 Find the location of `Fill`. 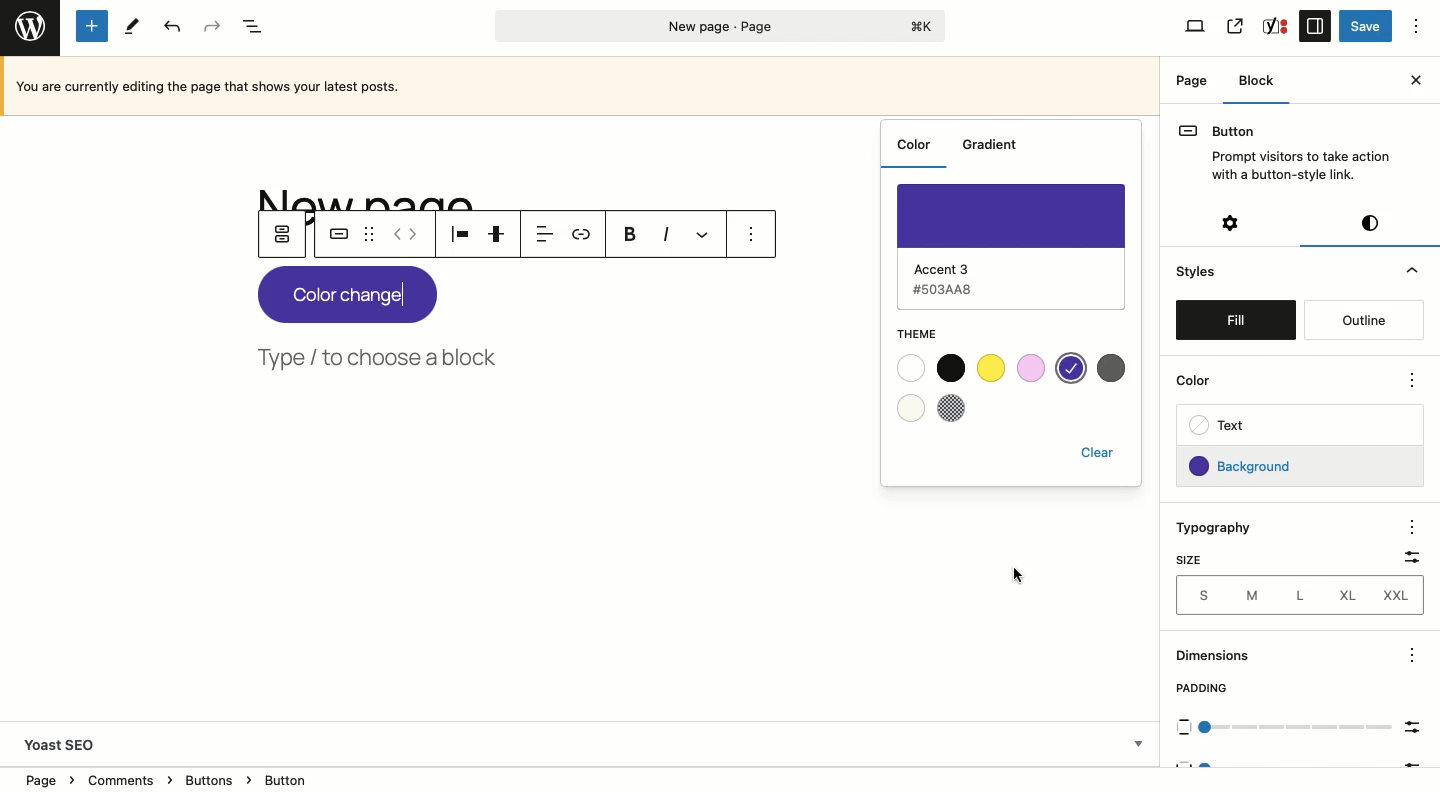

Fill is located at coordinates (1236, 320).